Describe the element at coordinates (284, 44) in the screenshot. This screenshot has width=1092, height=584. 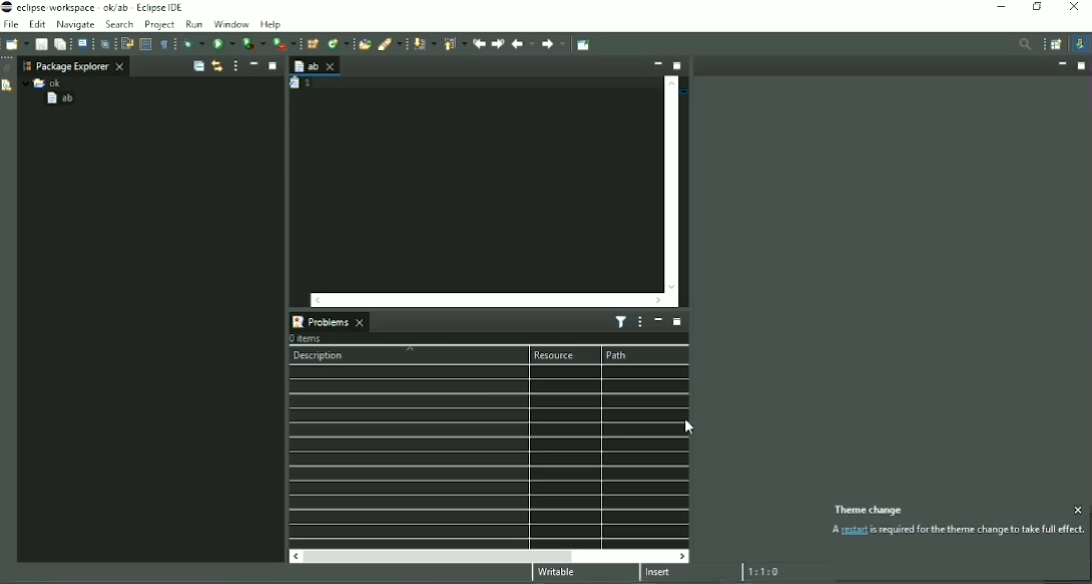
I see `Run Last Tool` at that location.